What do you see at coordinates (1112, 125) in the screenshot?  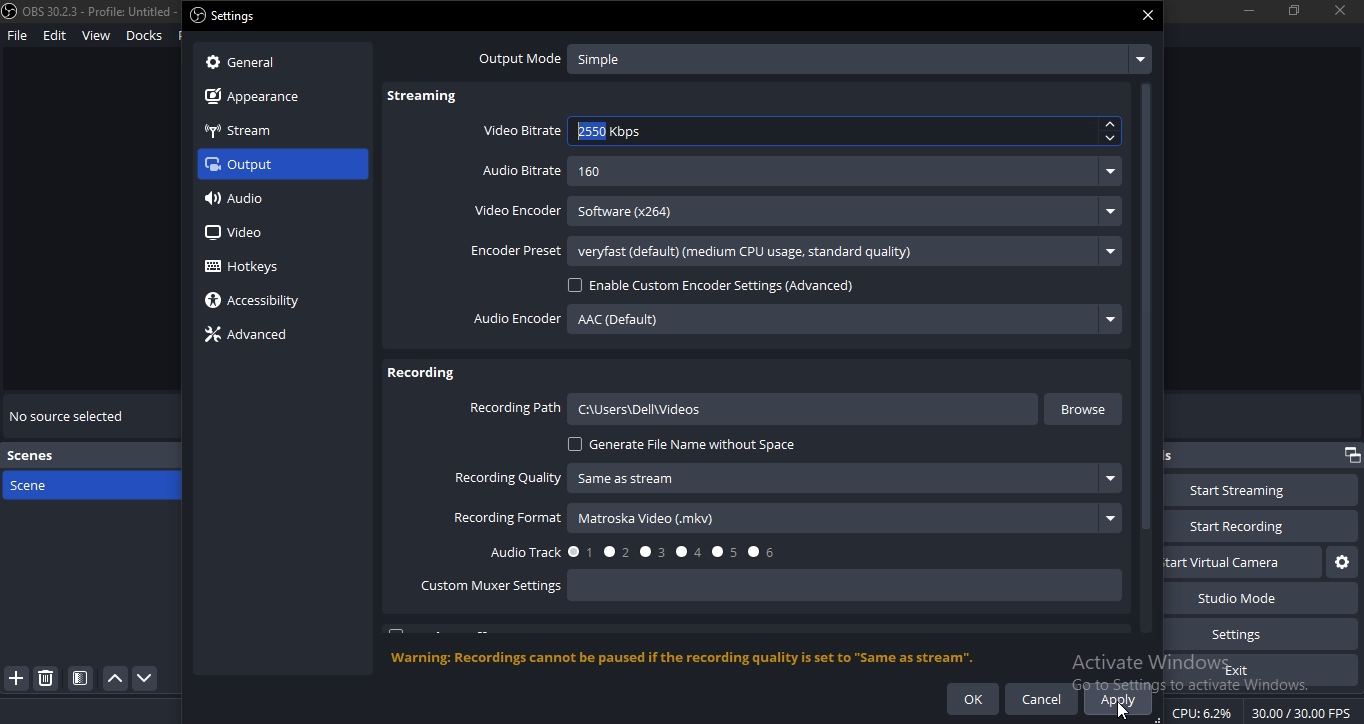 I see `up` at bounding box center [1112, 125].